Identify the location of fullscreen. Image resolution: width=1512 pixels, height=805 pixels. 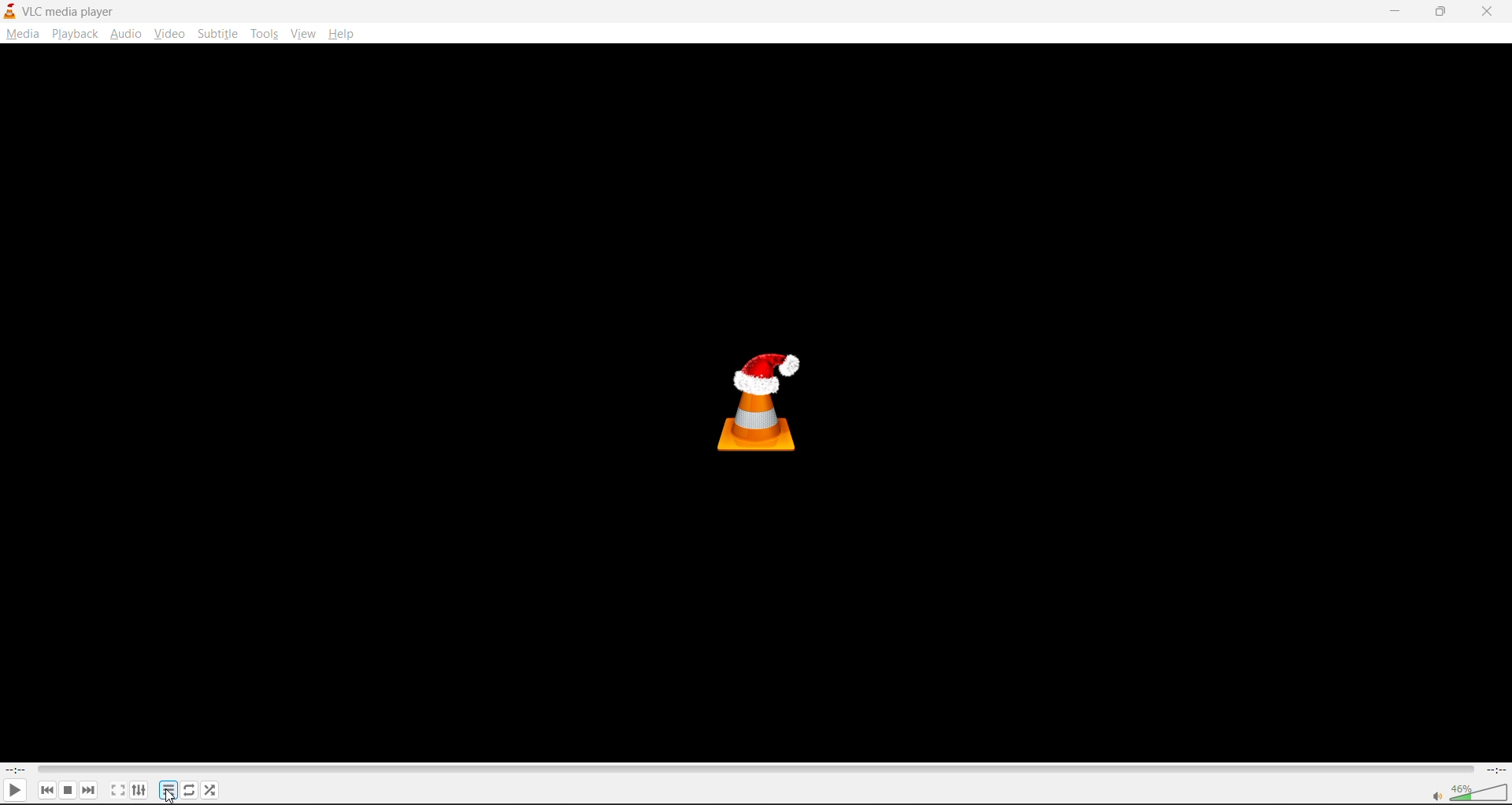
(116, 788).